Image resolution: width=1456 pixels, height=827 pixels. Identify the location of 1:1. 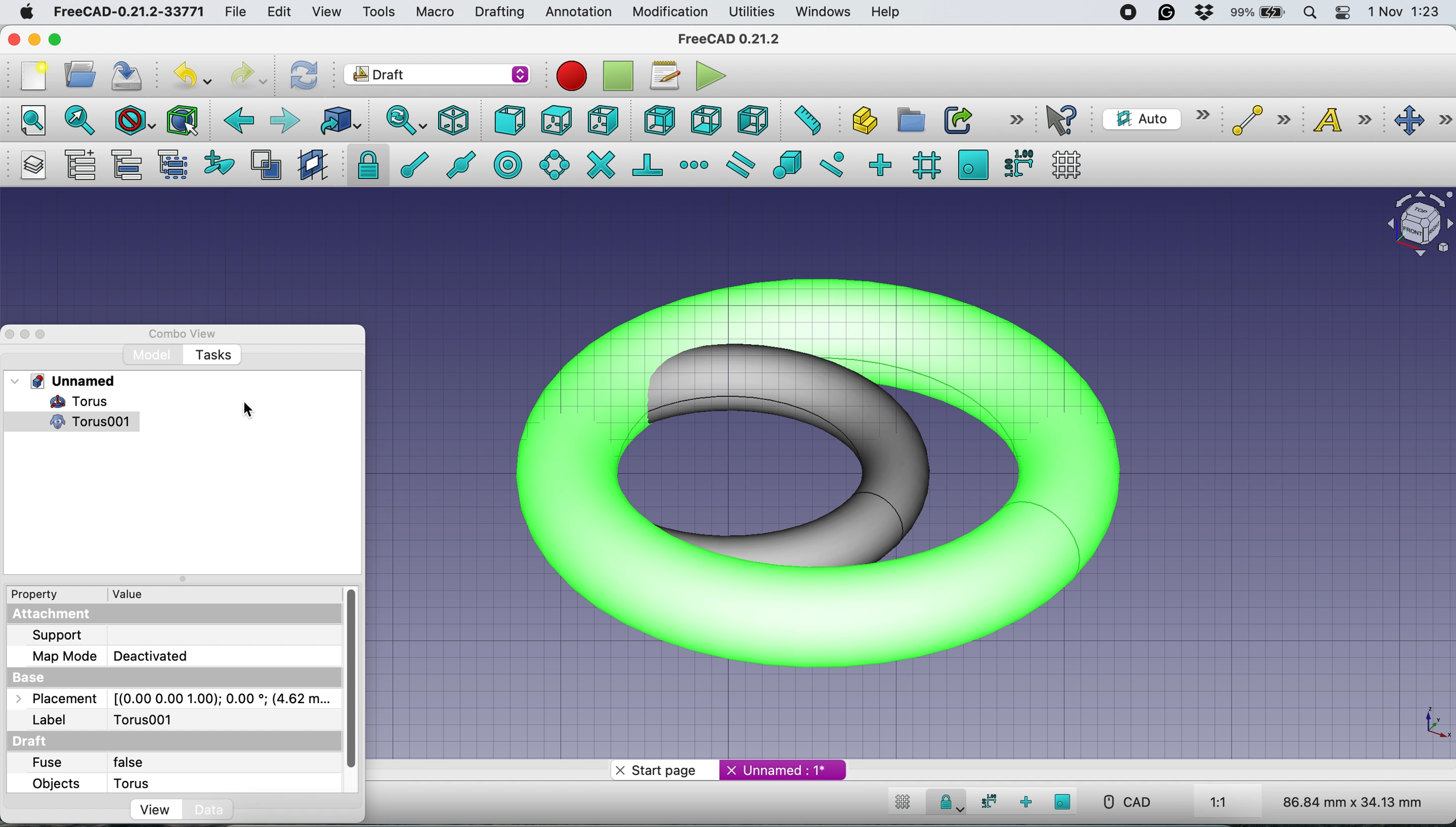
(1232, 803).